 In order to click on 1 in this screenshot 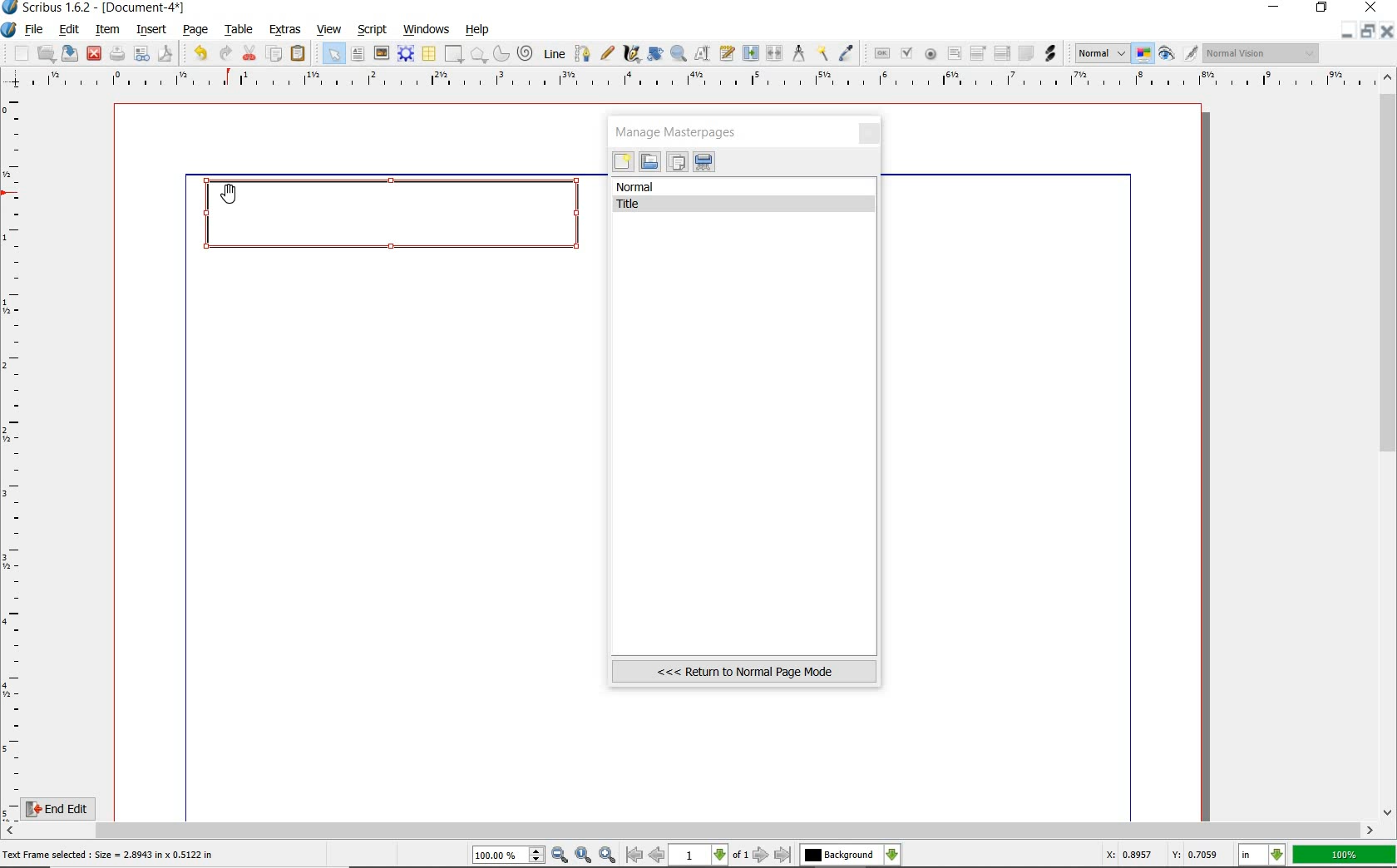, I will do `click(699, 856)`.